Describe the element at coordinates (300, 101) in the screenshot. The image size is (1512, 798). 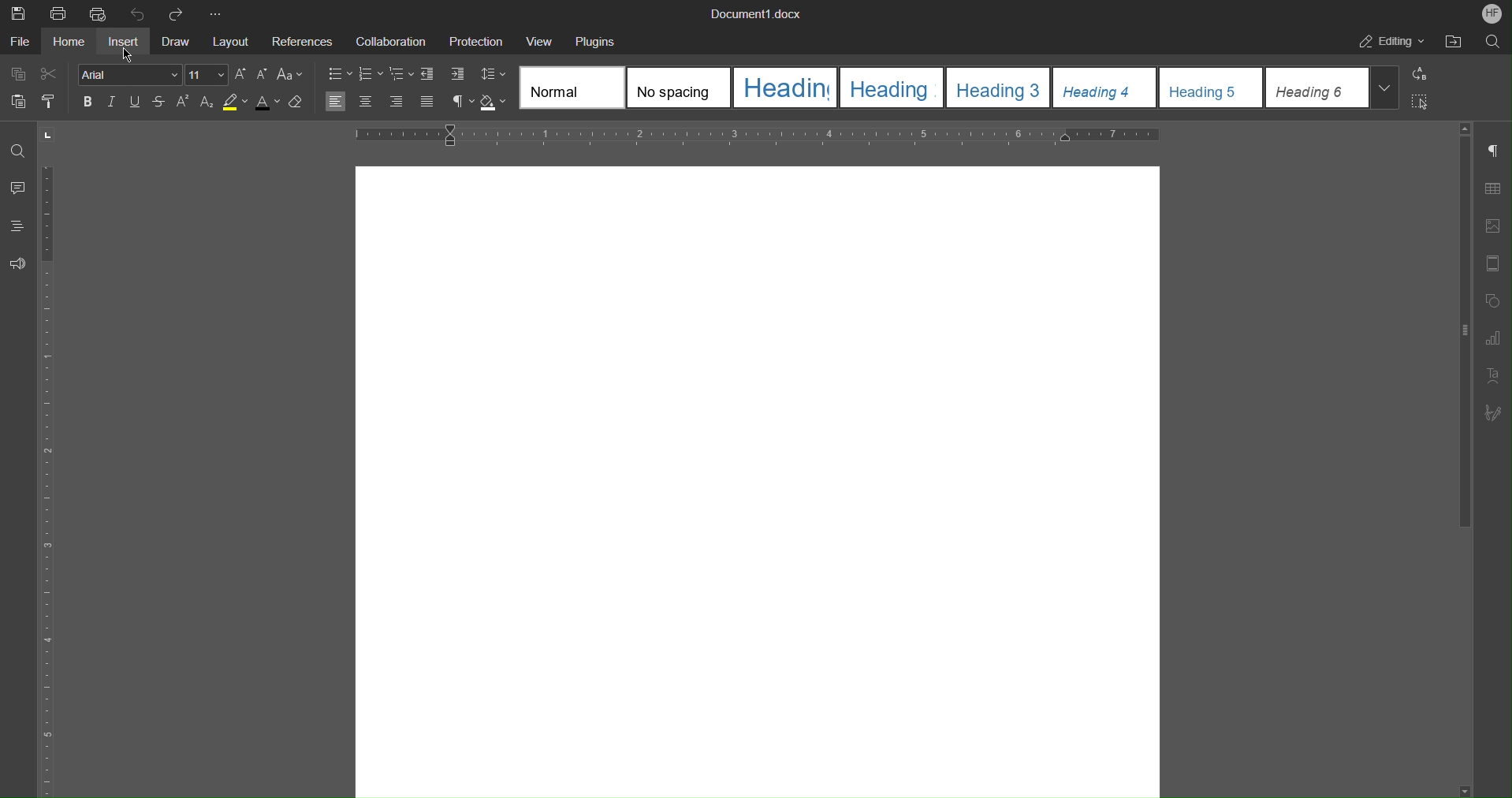
I see `Erase Style` at that location.